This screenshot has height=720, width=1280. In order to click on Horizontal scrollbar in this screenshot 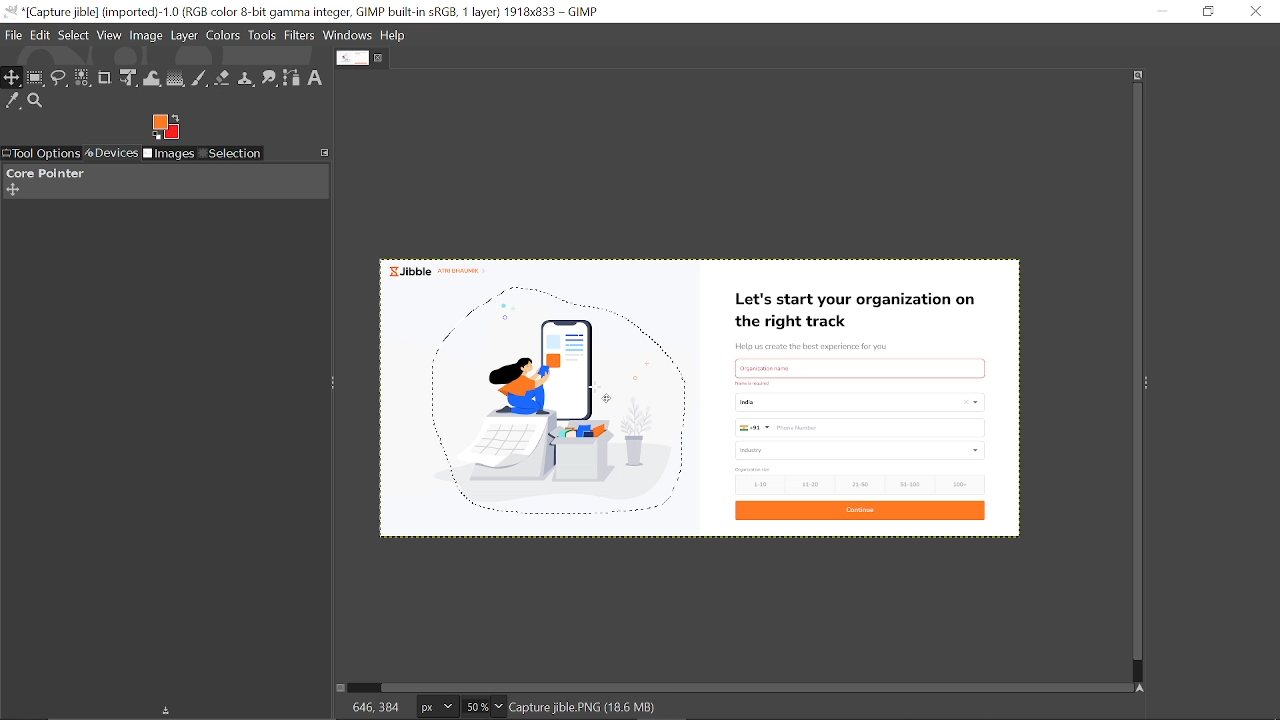, I will do `click(758, 687)`.